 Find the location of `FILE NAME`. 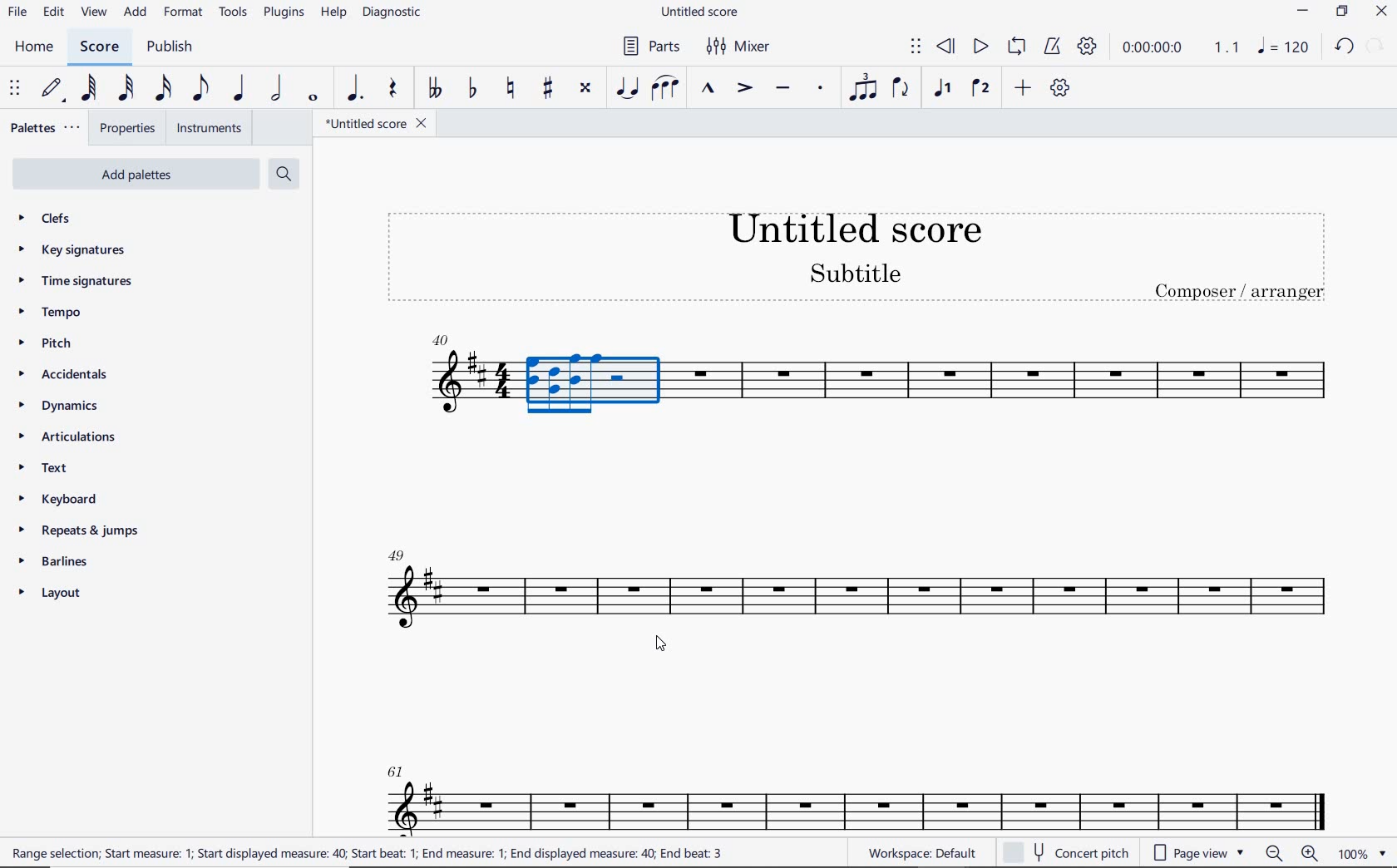

FILE NAME is located at coordinates (375, 123).